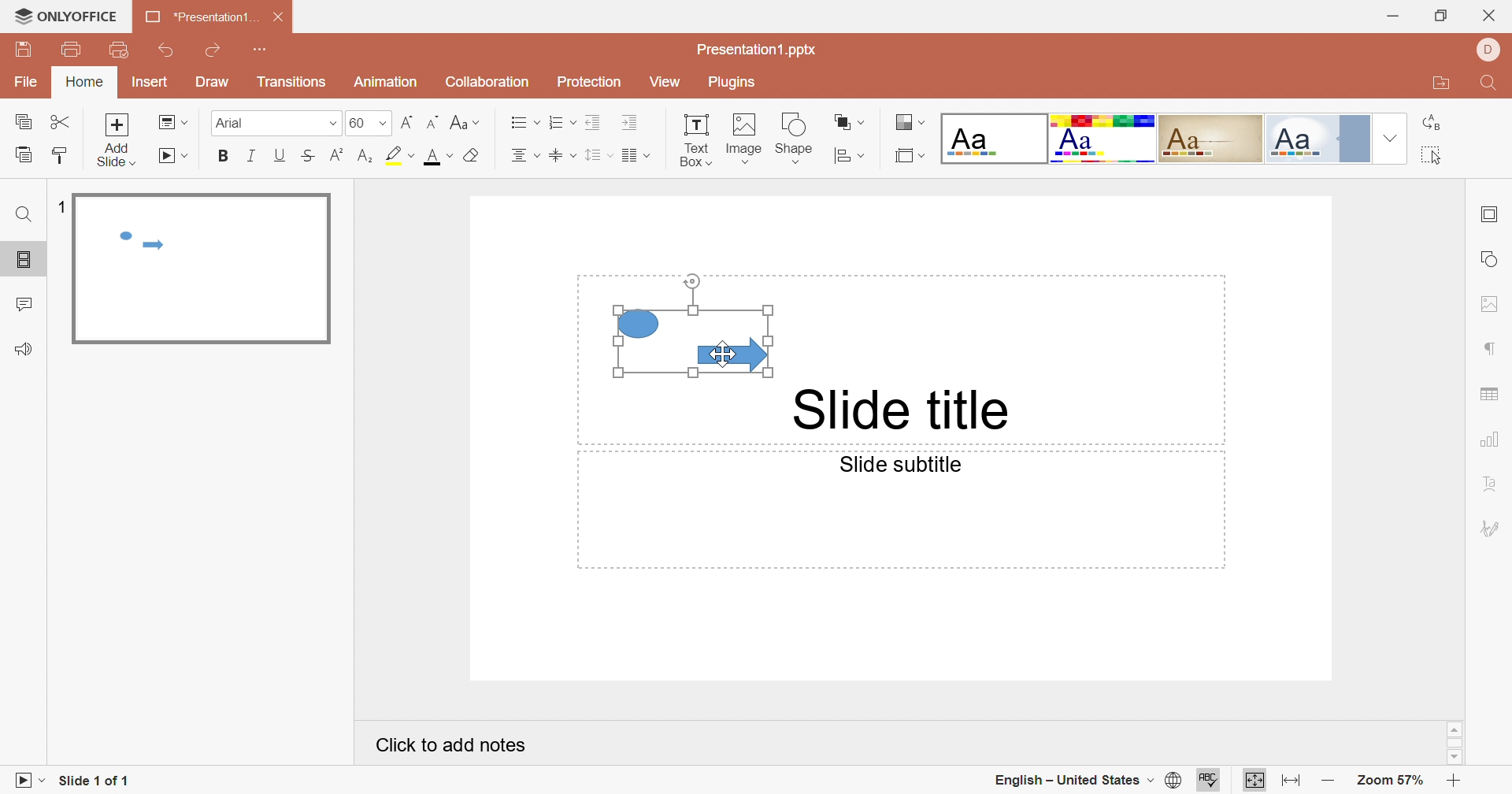 The image size is (1512, 794). I want to click on Slide title, so click(899, 410).